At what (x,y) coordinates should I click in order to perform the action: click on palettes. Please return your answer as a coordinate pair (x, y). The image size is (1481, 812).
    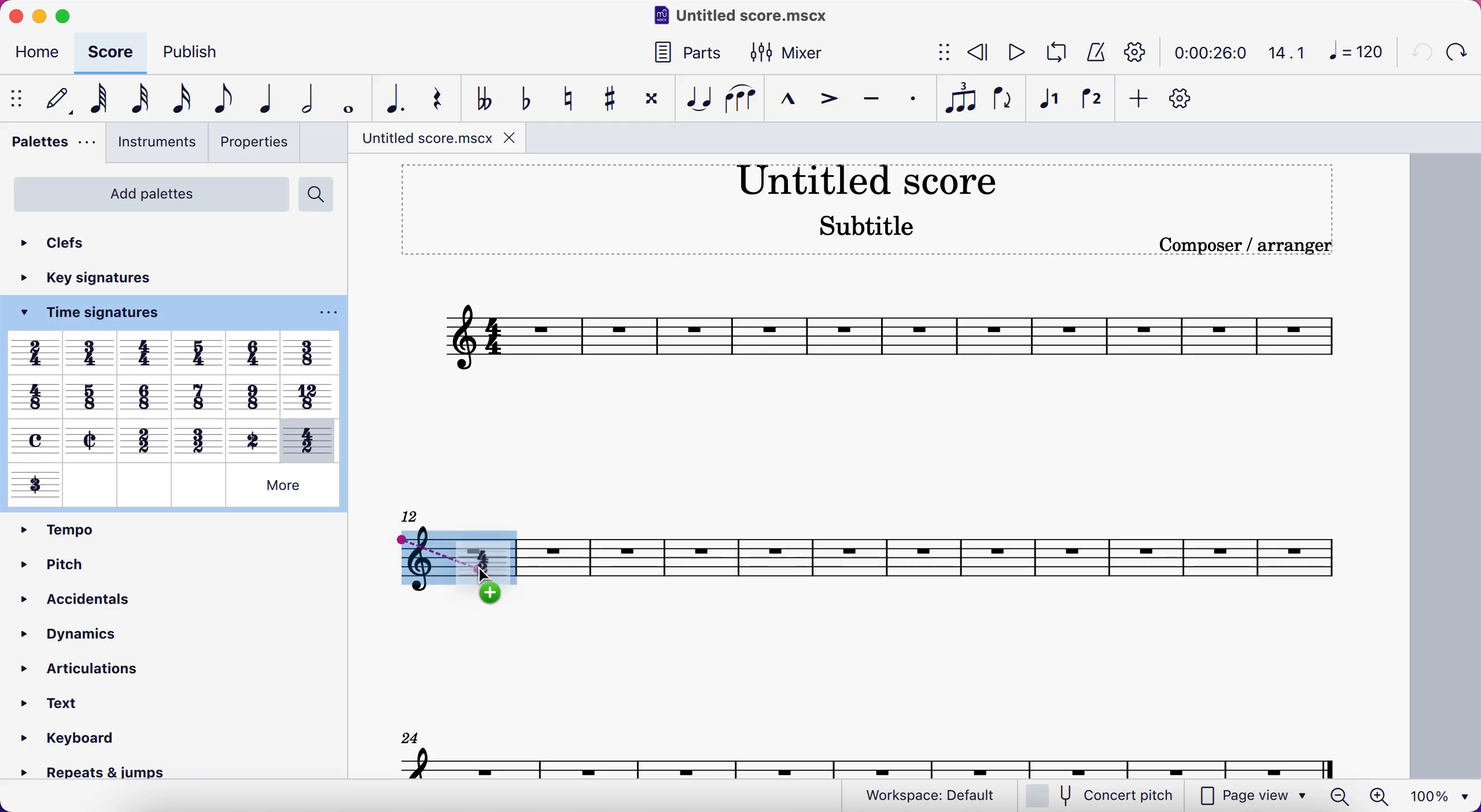
    Looking at the image, I should click on (52, 145).